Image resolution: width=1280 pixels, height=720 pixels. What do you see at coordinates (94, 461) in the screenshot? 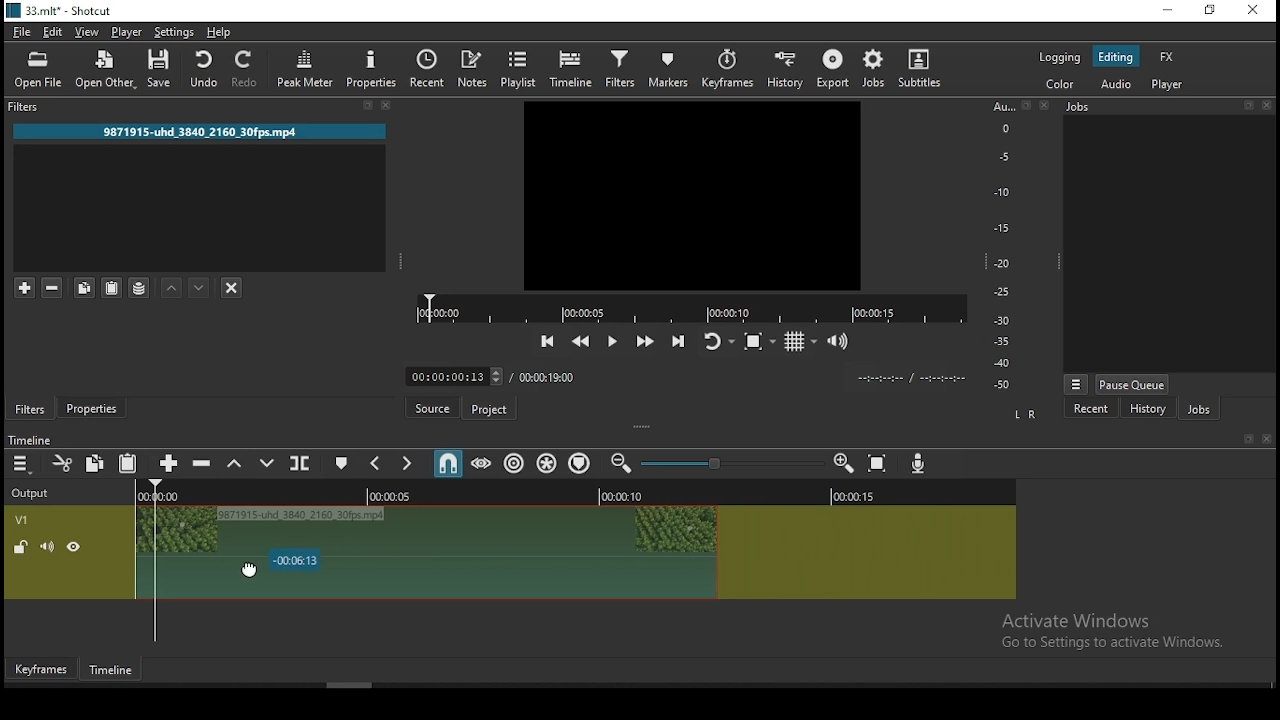
I see `copy` at bounding box center [94, 461].